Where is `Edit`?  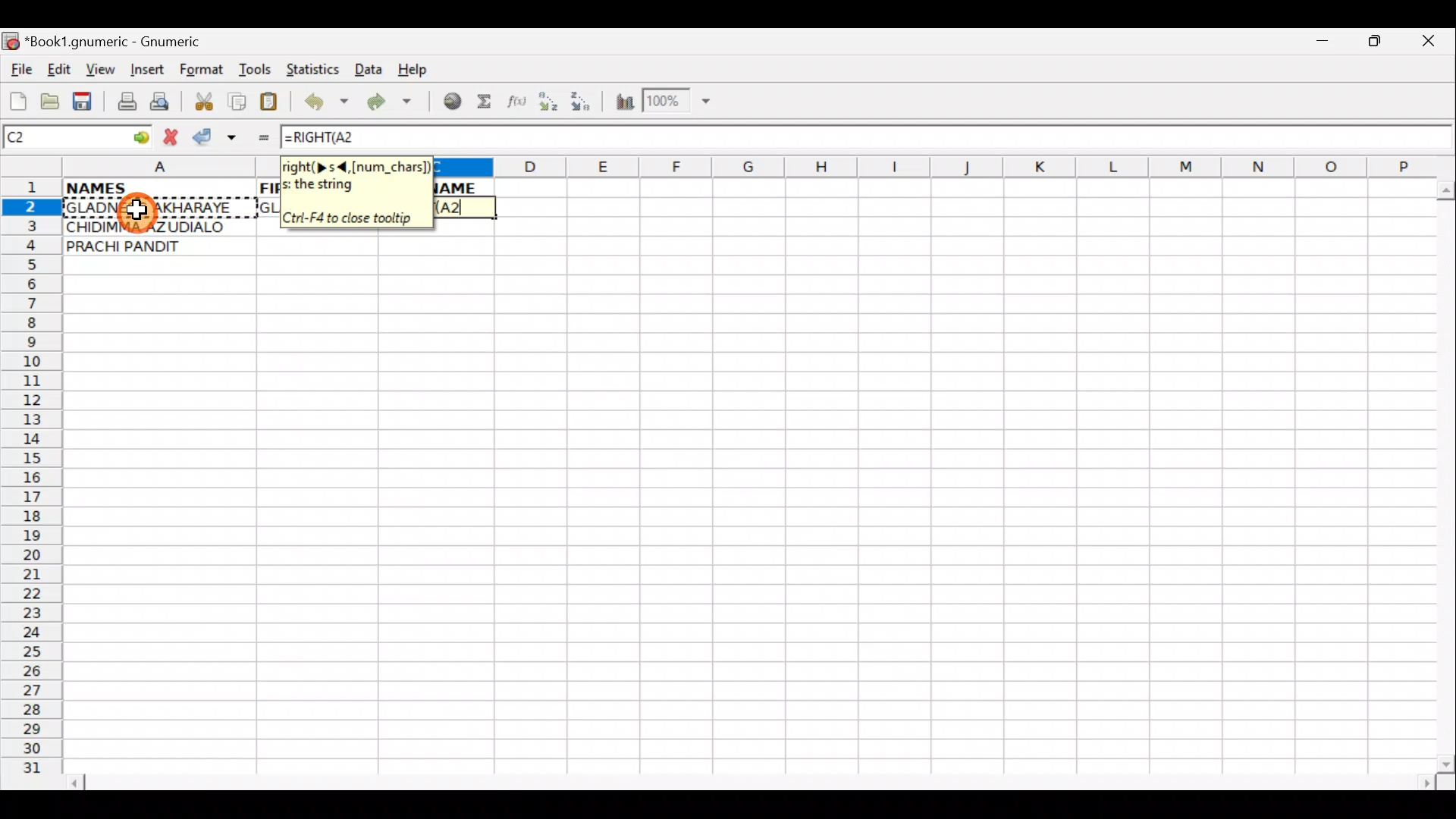
Edit is located at coordinates (58, 69).